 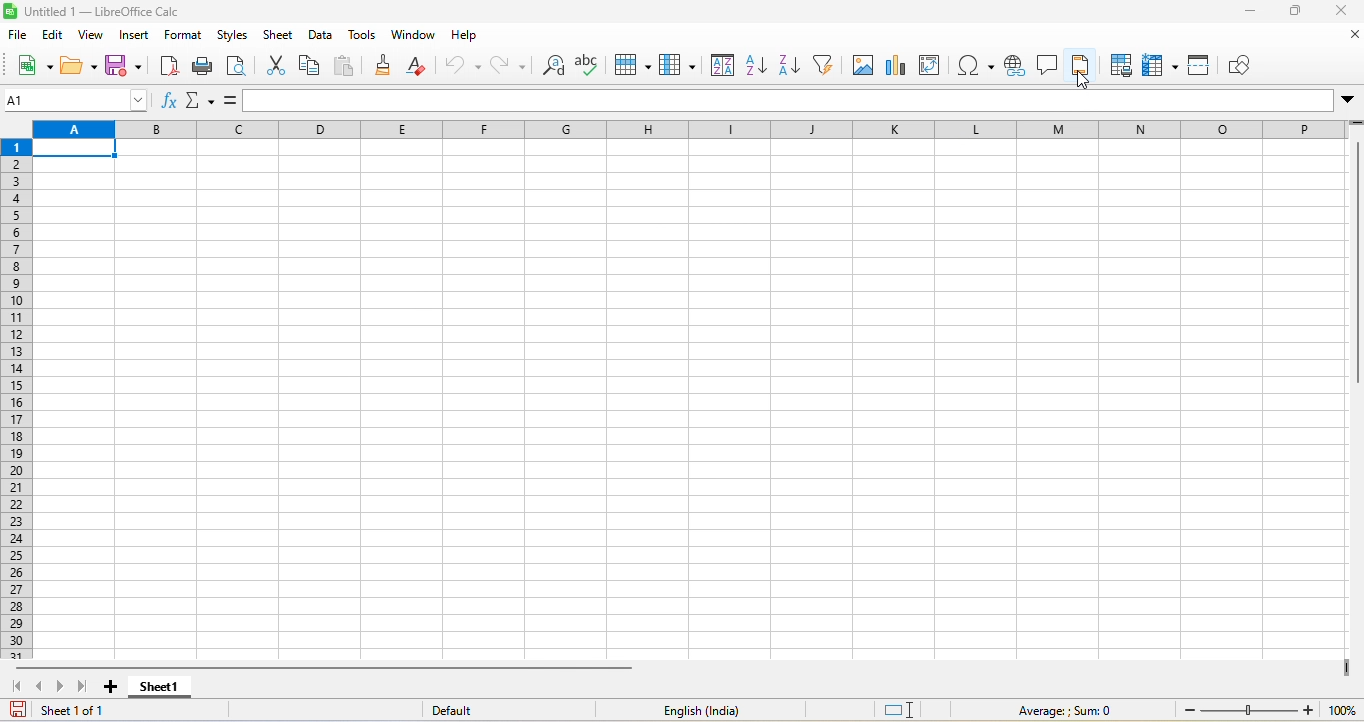 I want to click on maximize, so click(x=1296, y=13).